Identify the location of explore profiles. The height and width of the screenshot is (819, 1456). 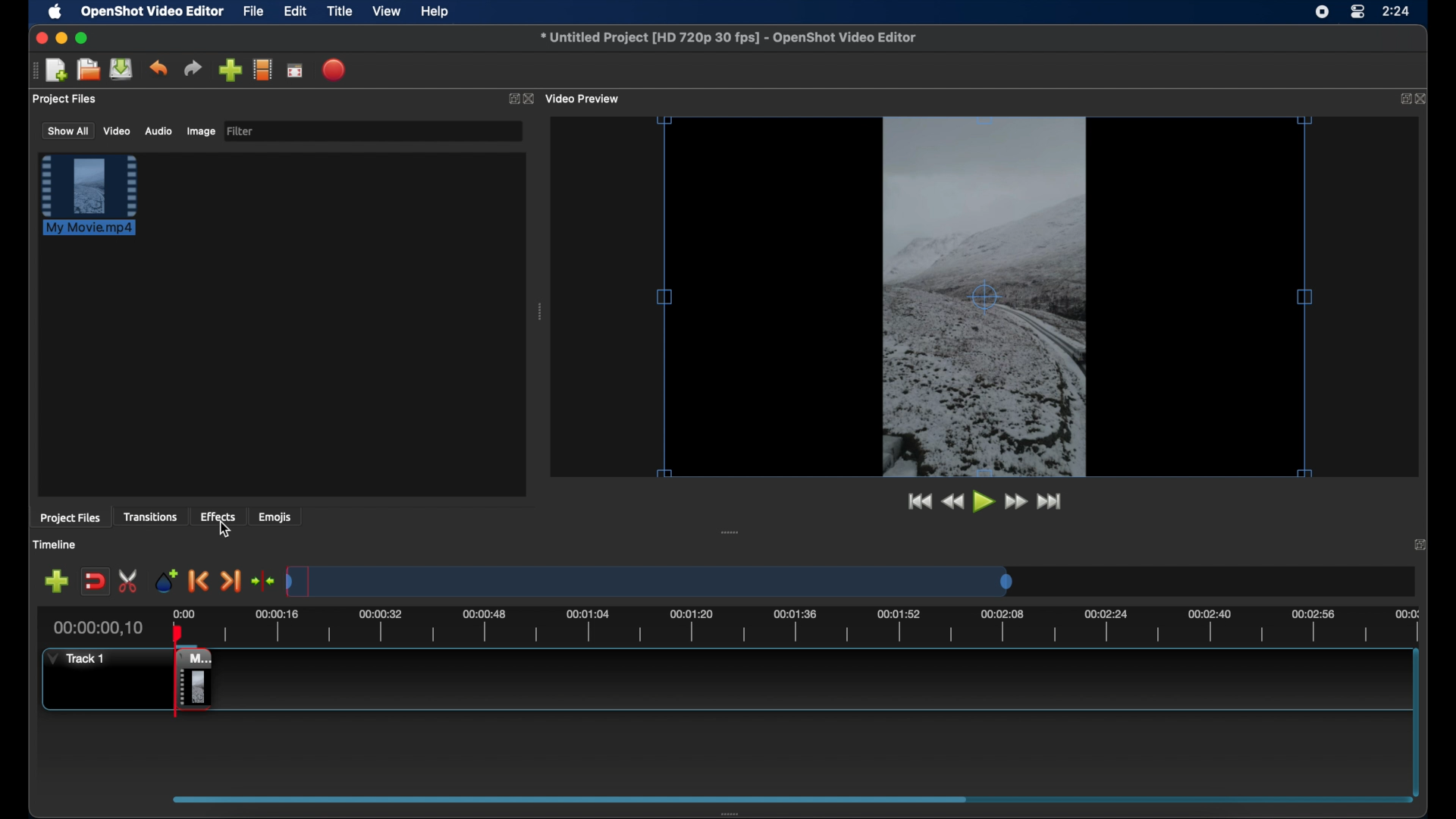
(264, 71).